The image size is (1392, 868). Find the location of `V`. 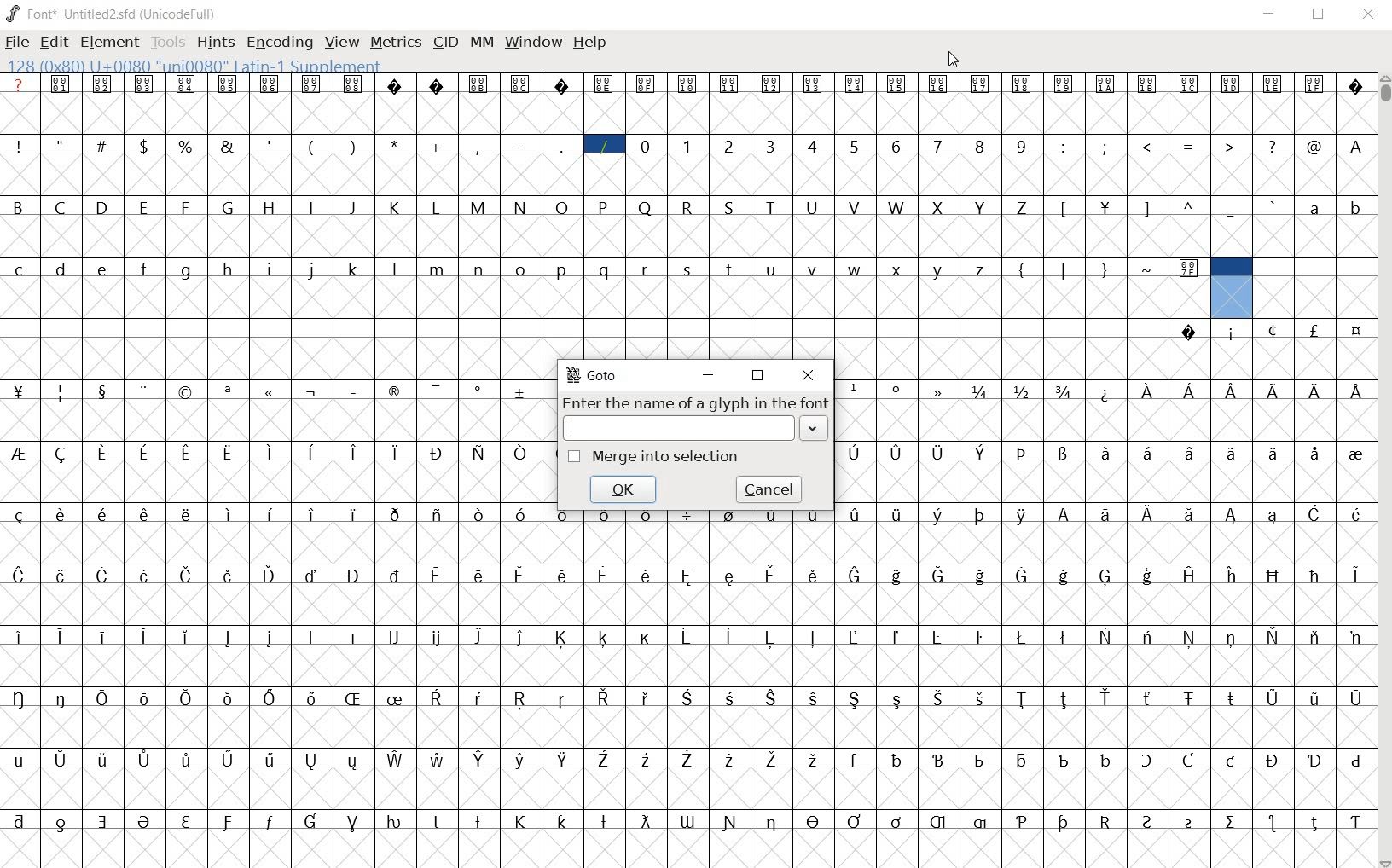

V is located at coordinates (859, 206).